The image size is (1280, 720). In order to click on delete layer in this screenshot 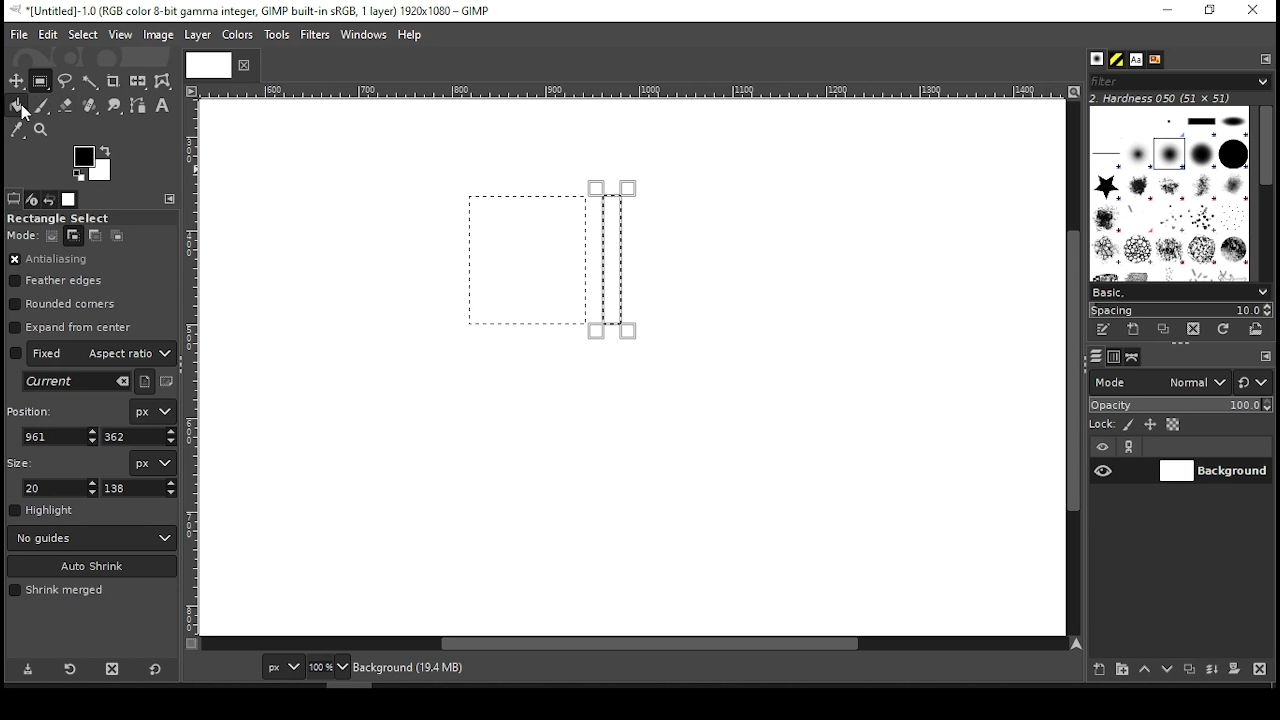, I will do `click(1259, 669)`.